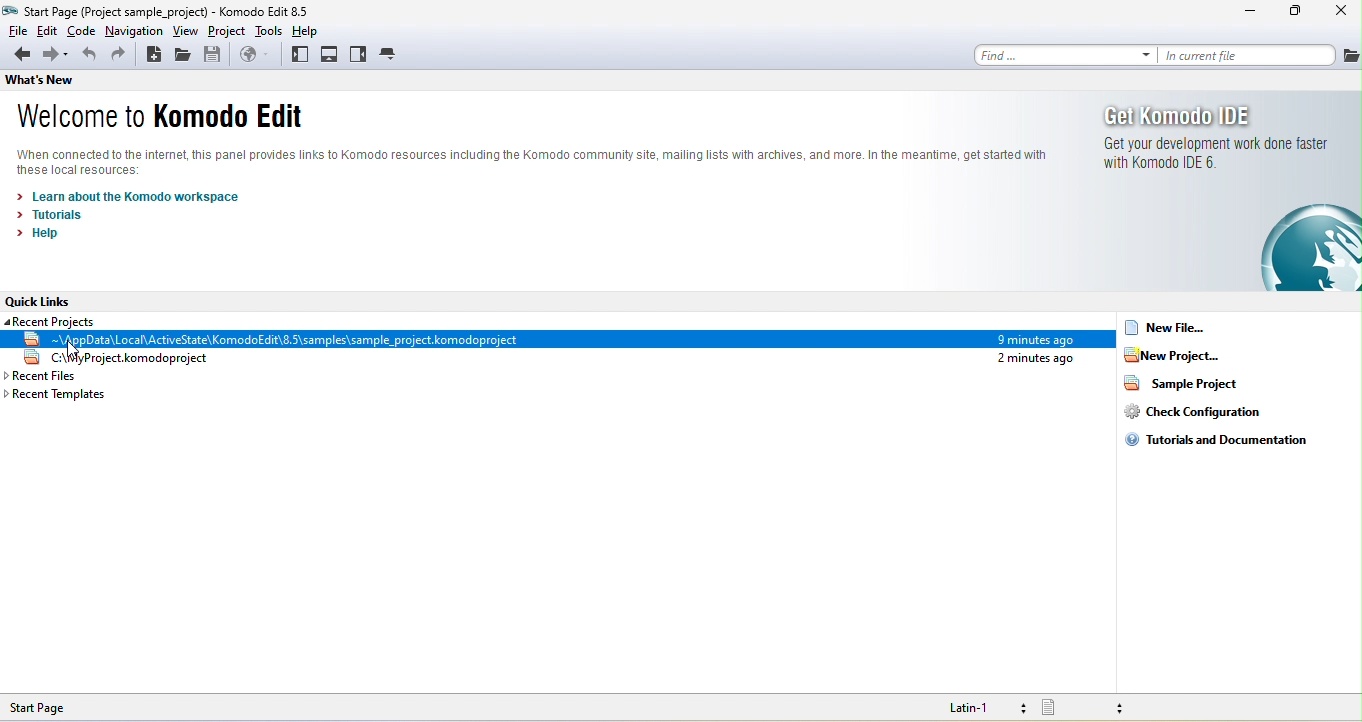 The height and width of the screenshot is (722, 1362). Describe the element at coordinates (1174, 329) in the screenshot. I see `new file` at that location.